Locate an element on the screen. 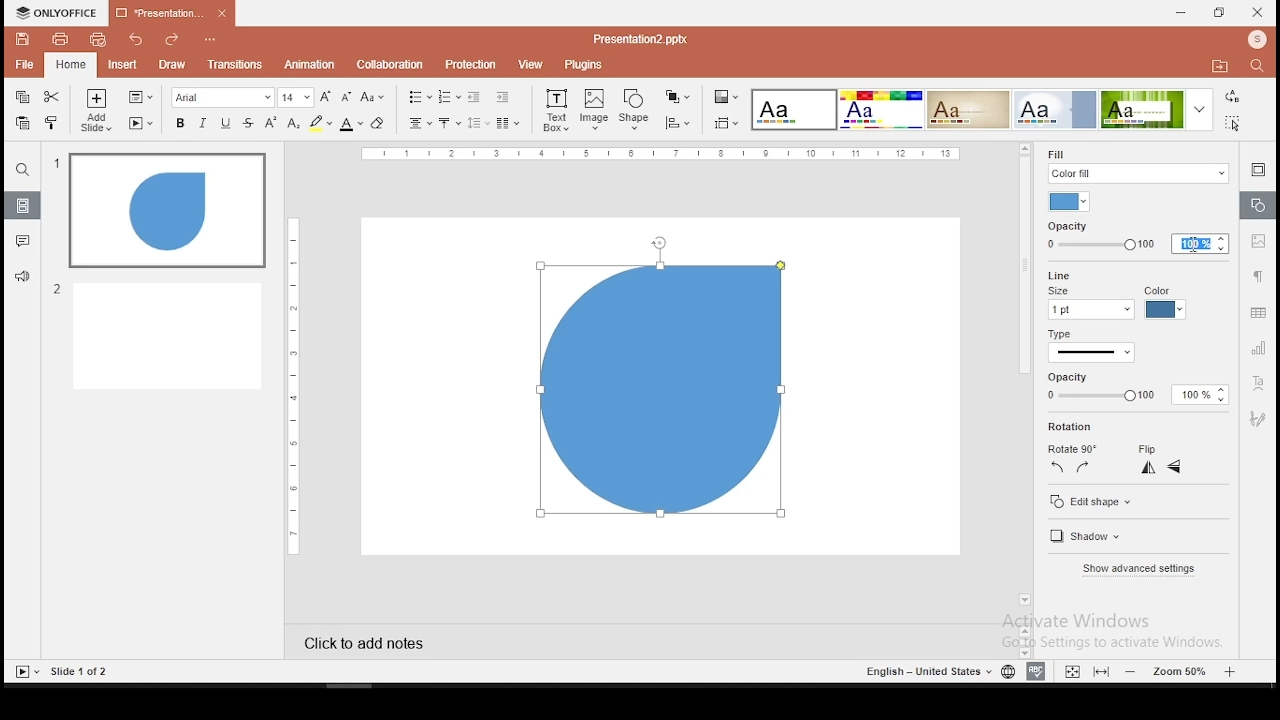  start slideshow is located at coordinates (141, 124).